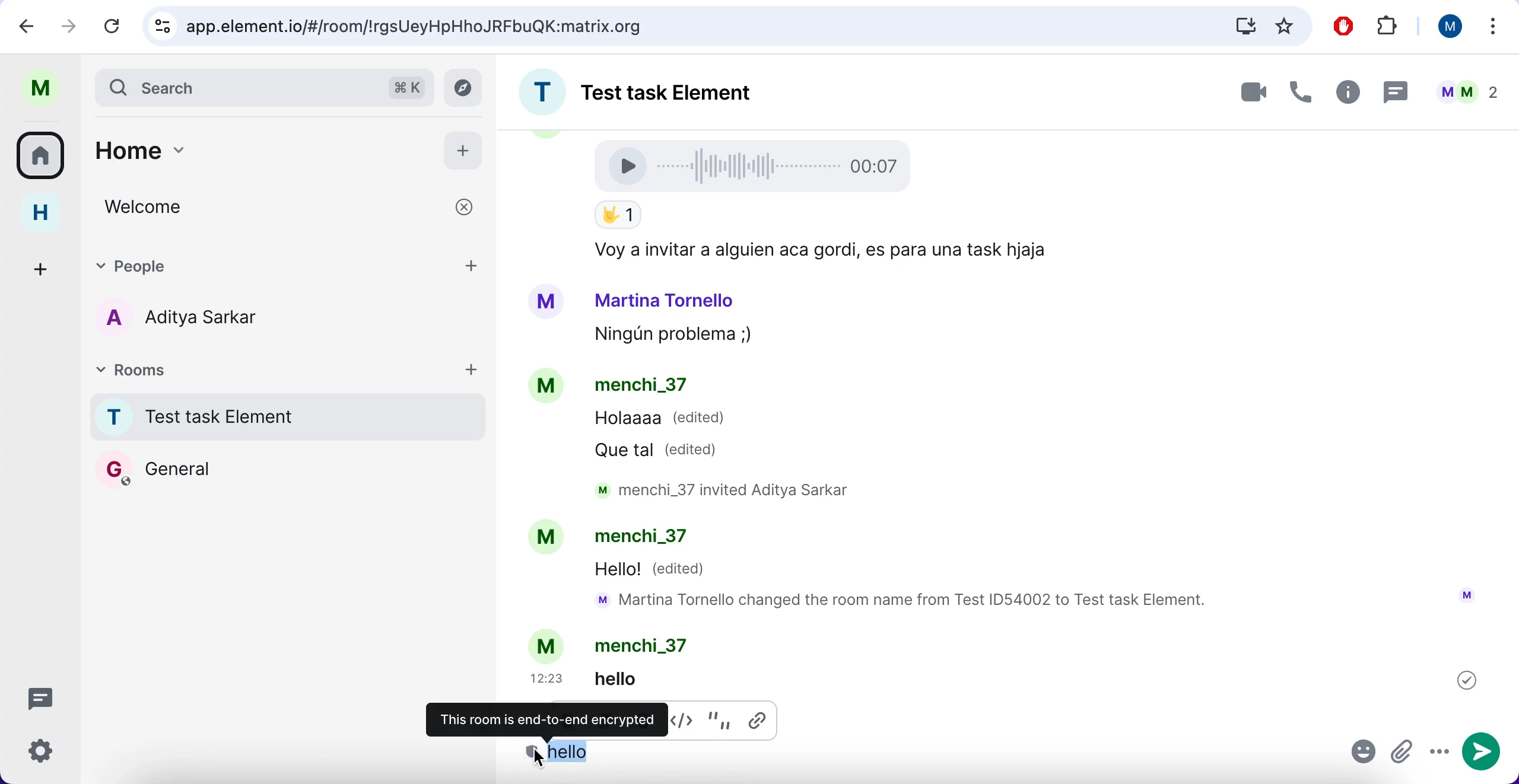 The height and width of the screenshot is (784, 1519). I want to click on search bar, so click(262, 87).